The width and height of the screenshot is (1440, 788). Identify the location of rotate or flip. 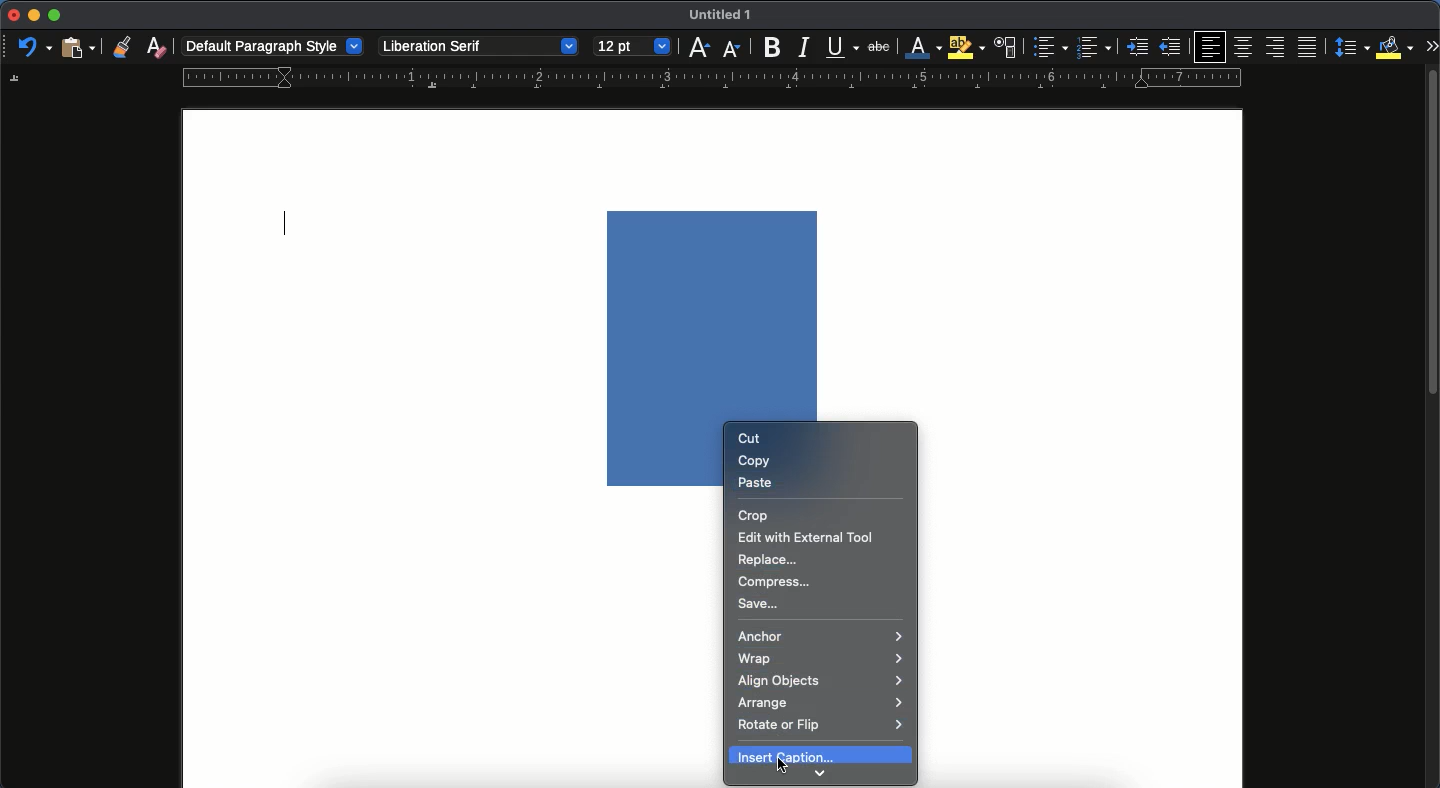
(822, 728).